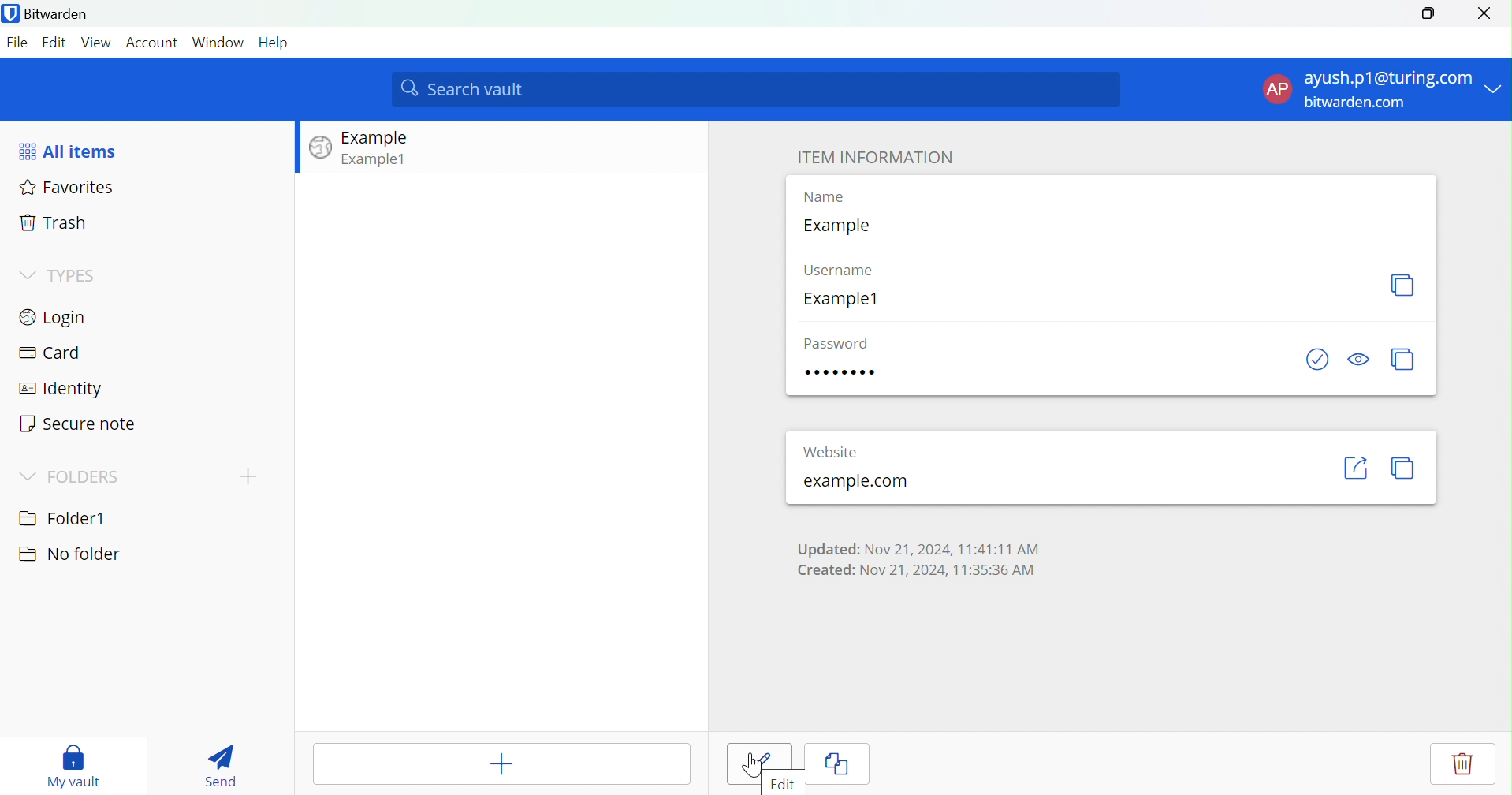 Image resolution: width=1512 pixels, height=795 pixels. I want to click on Username, so click(842, 271).